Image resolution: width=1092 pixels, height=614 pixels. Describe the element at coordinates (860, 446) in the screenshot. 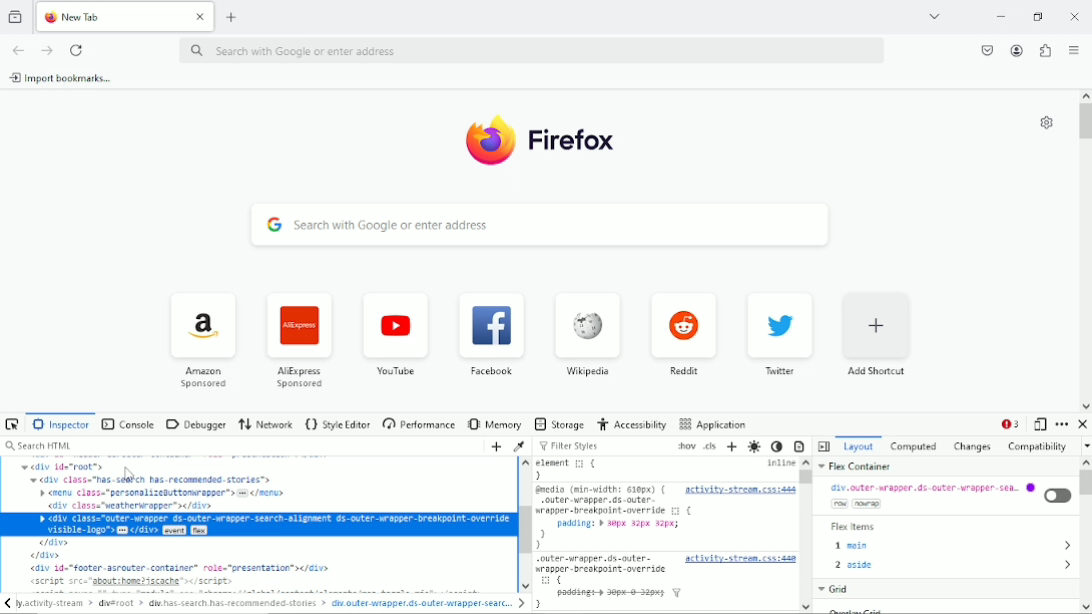

I see `Layout` at that location.